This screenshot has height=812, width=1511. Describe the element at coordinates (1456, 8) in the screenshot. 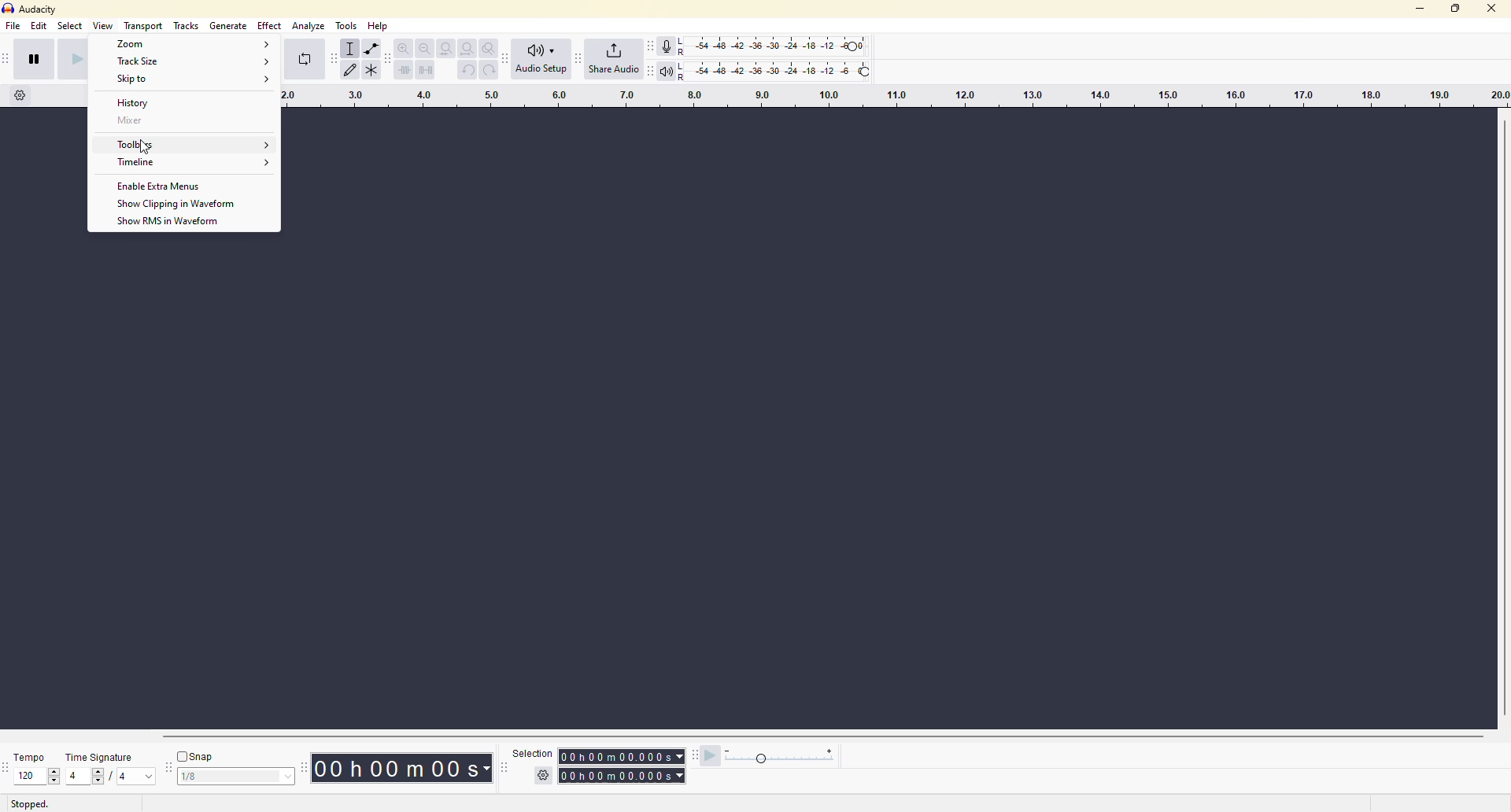

I see `maximize` at that location.